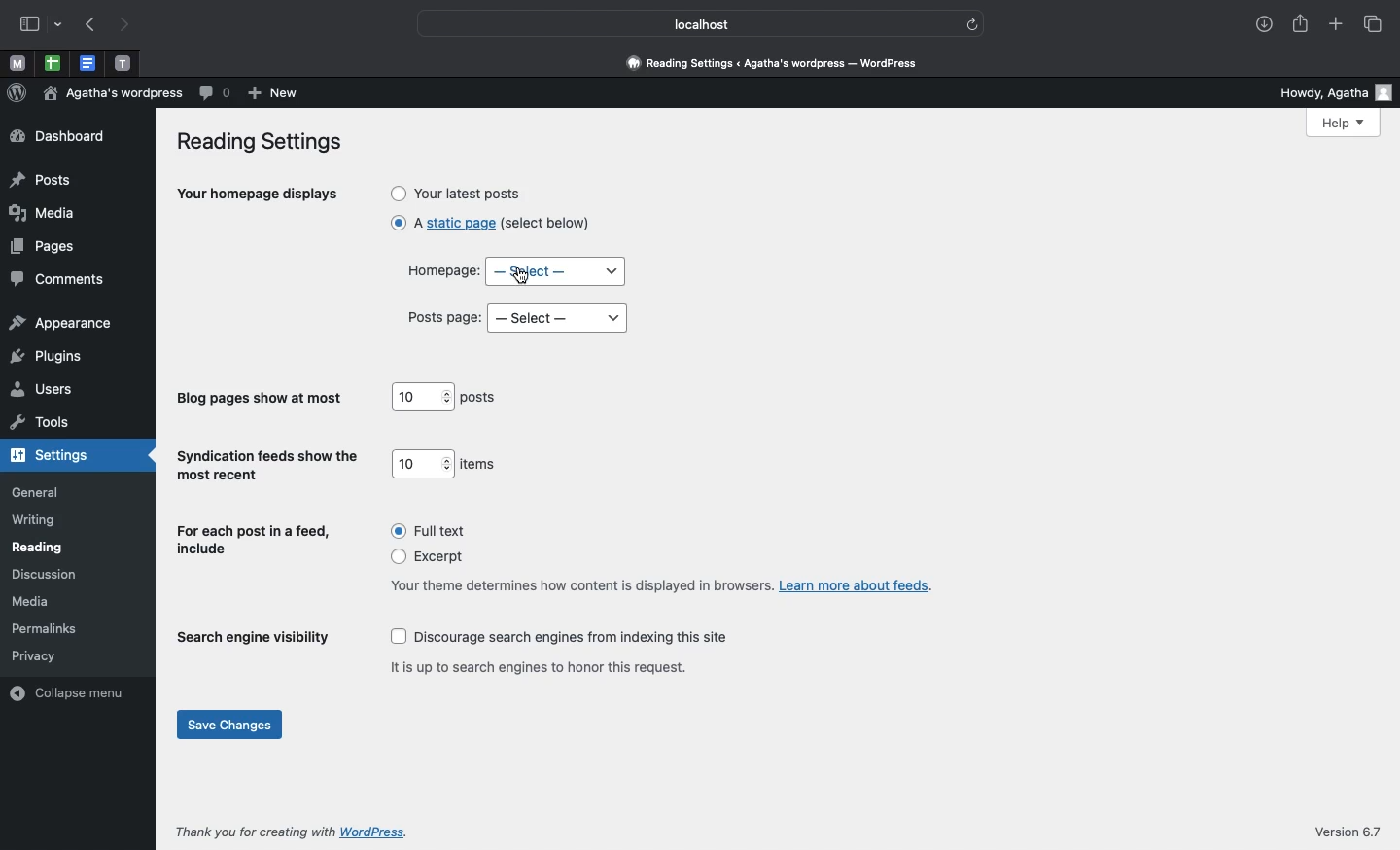 This screenshot has width=1400, height=850. What do you see at coordinates (974, 24) in the screenshot?
I see `refresh` at bounding box center [974, 24].